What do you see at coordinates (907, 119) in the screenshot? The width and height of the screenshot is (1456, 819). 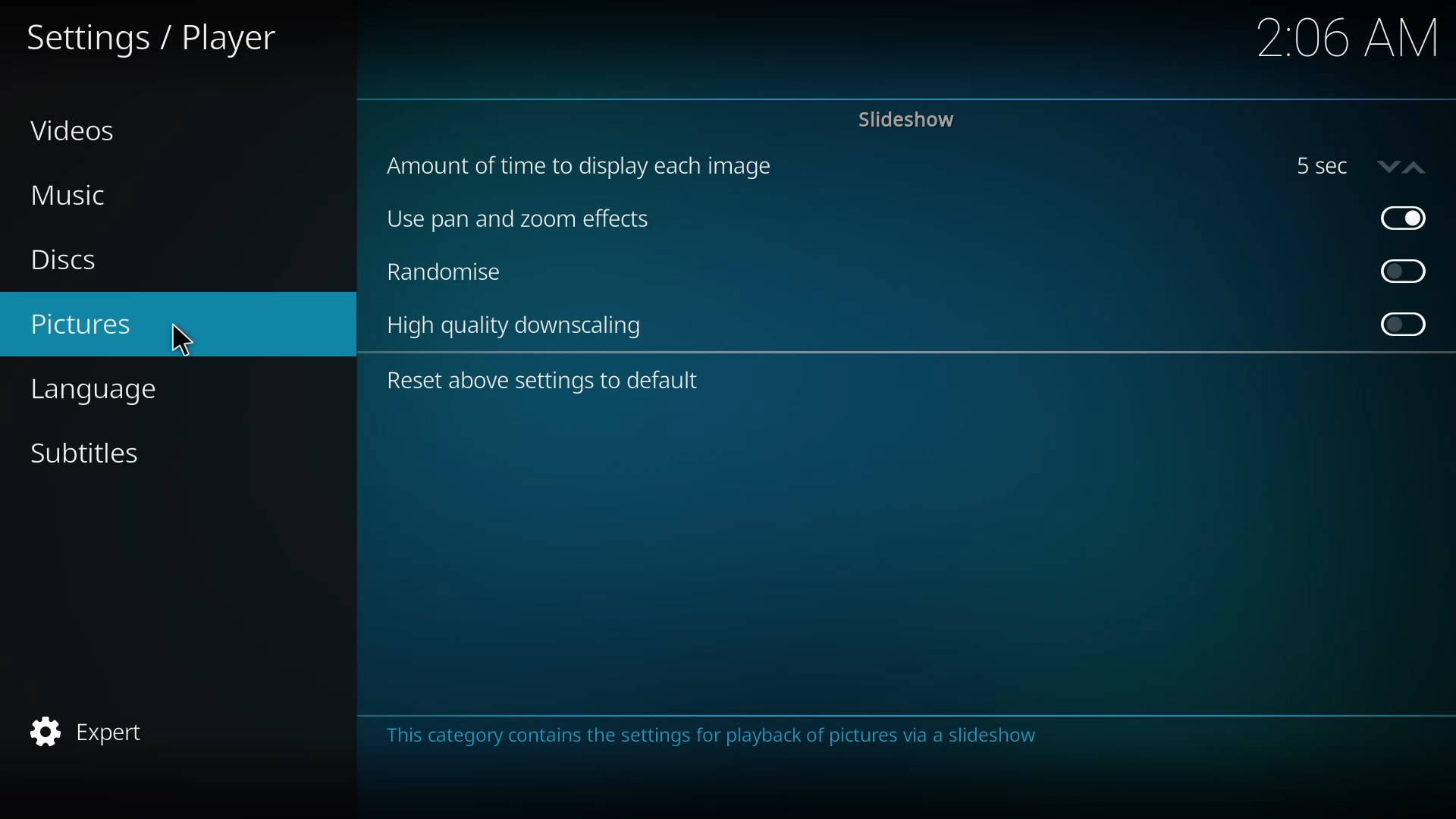 I see `slideshow` at bounding box center [907, 119].